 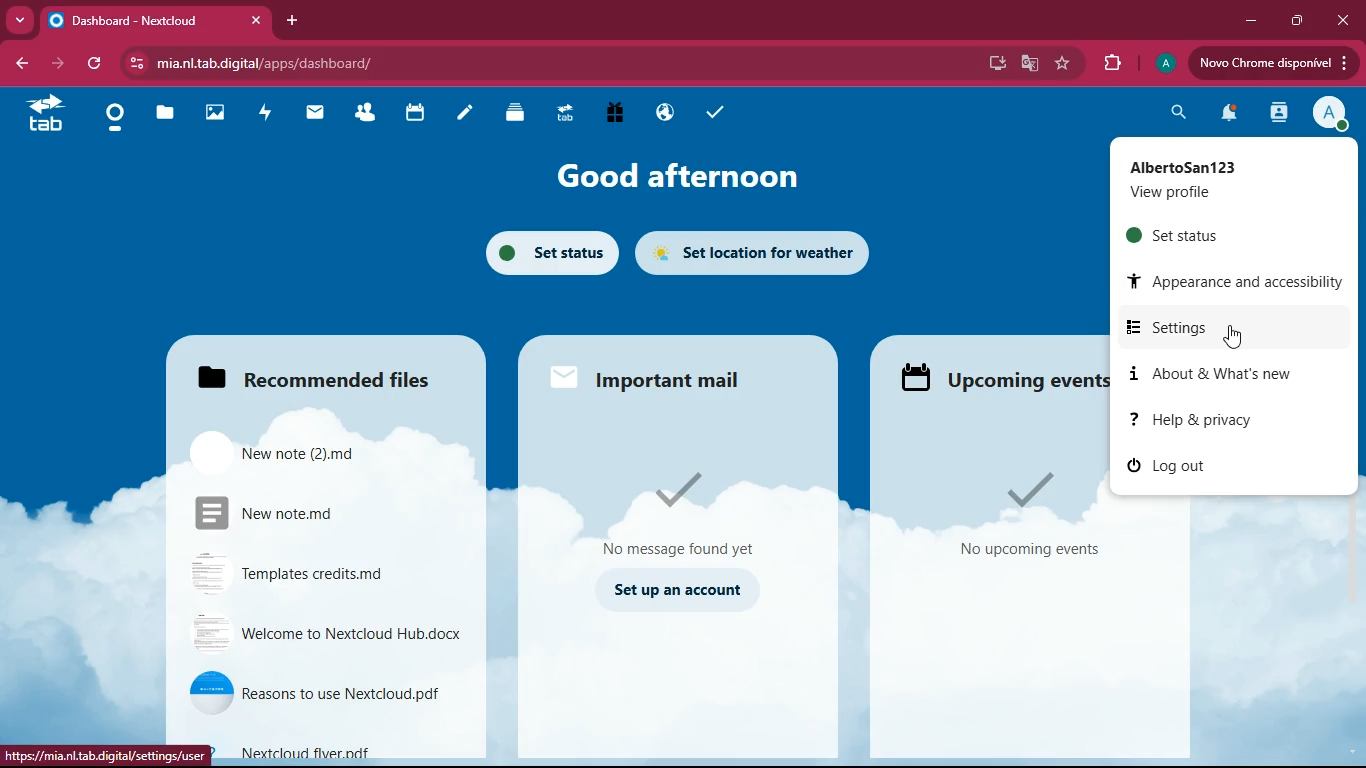 I want to click on profile, so click(x=1213, y=178).